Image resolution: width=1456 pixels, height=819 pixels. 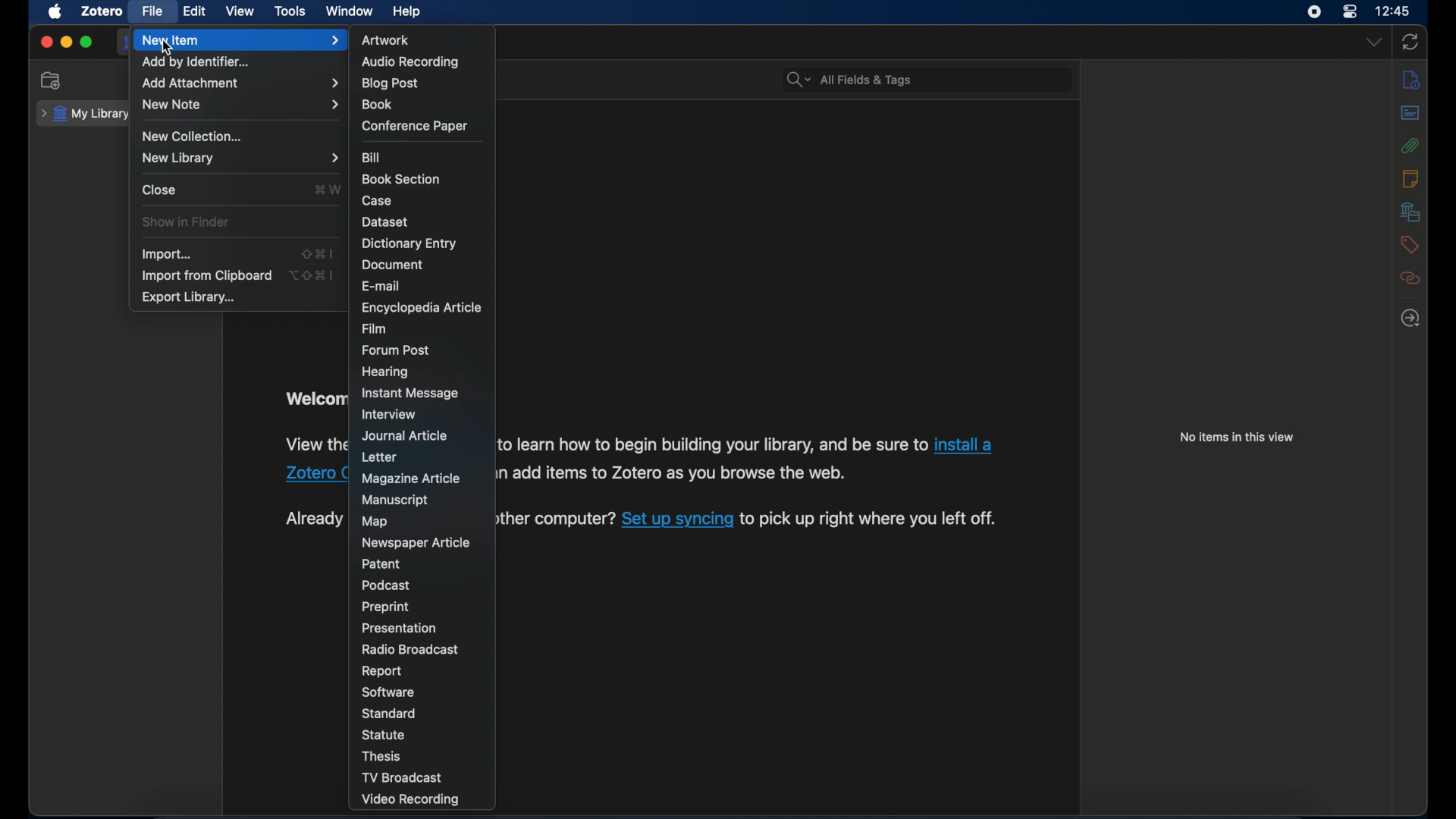 I want to click on conference paper, so click(x=414, y=125).